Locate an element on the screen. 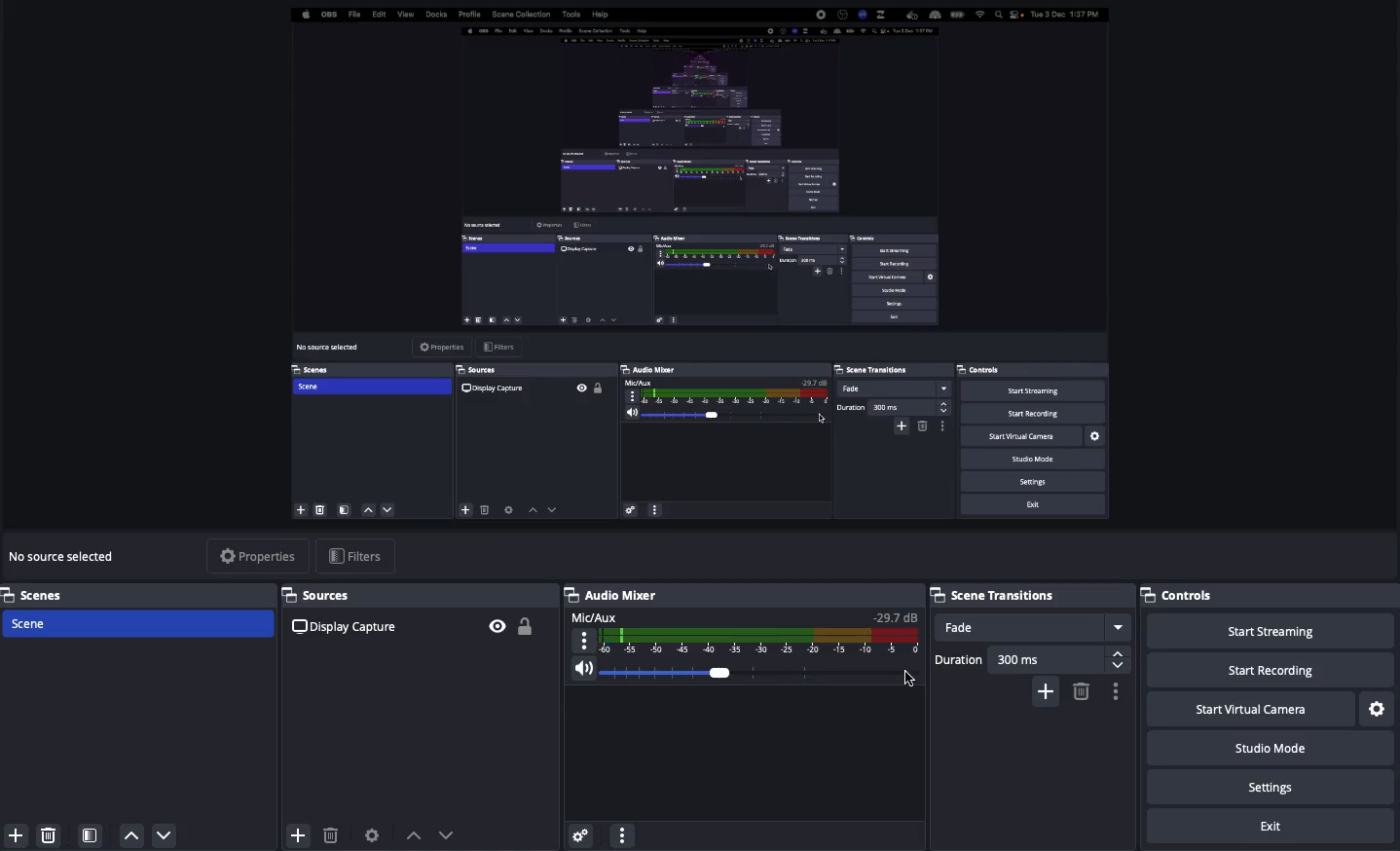 This screenshot has width=1400, height=851. Settings is located at coordinates (1378, 708).